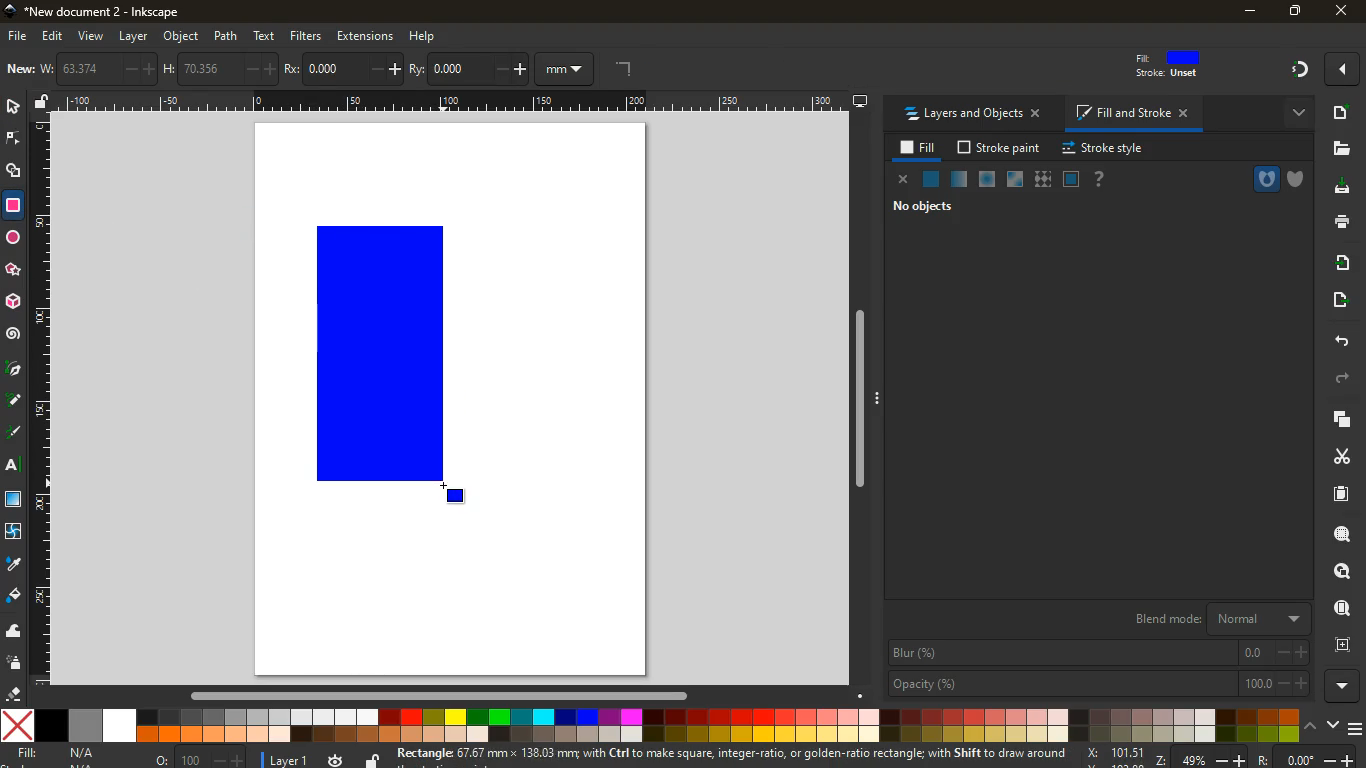  What do you see at coordinates (1222, 618) in the screenshot?
I see `blend mode` at bounding box center [1222, 618].